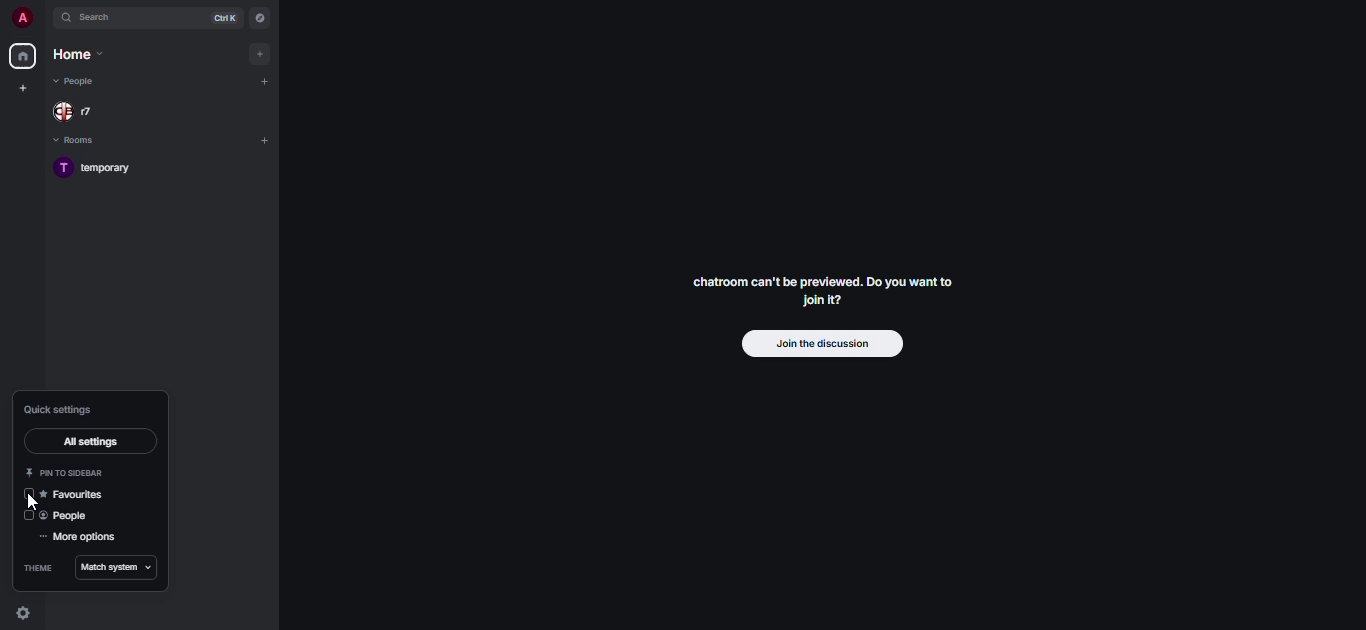 The image size is (1366, 630). Describe the element at coordinates (102, 168) in the screenshot. I see `temporary` at that location.